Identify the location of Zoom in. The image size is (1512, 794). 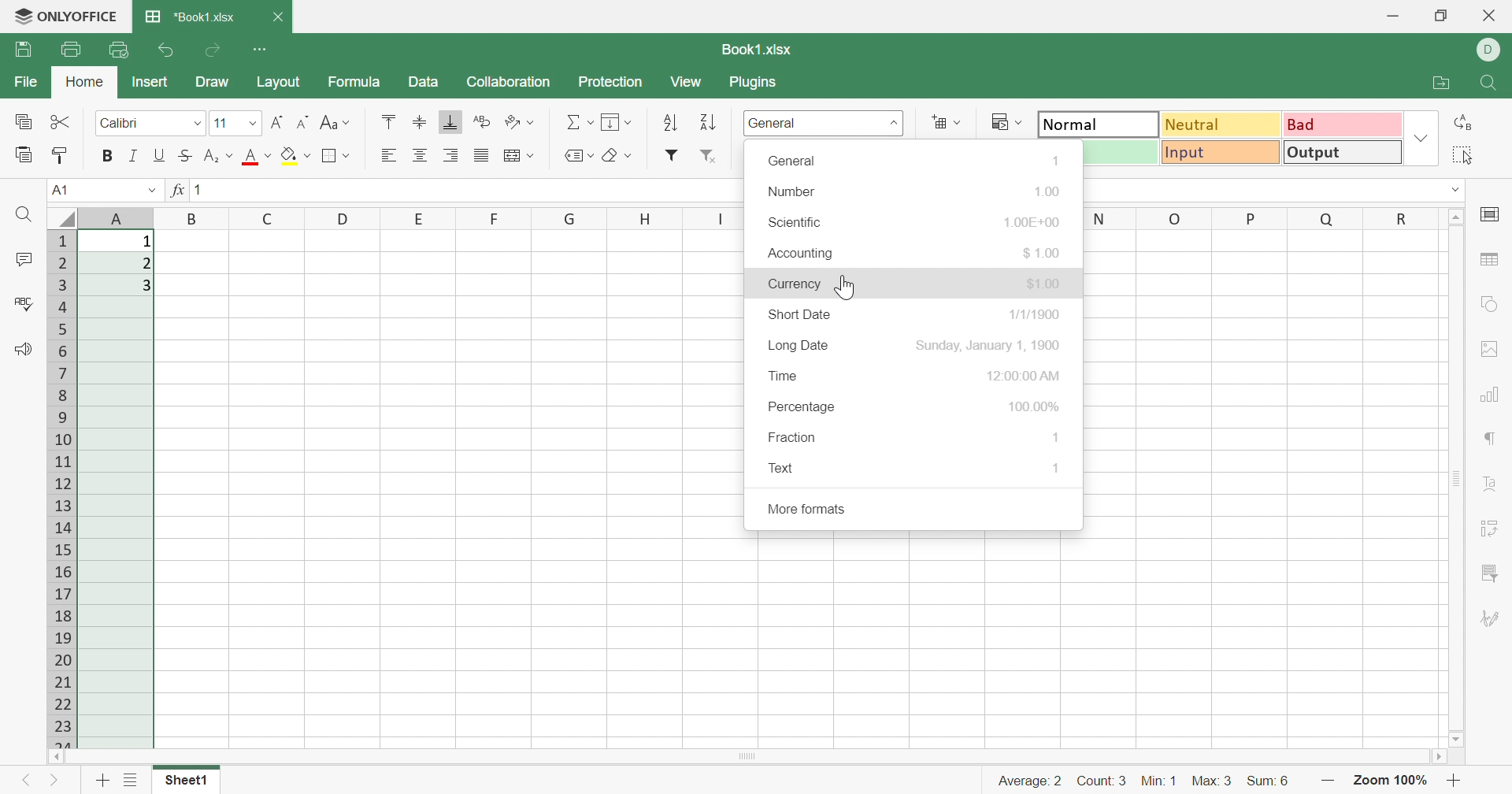
(1327, 782).